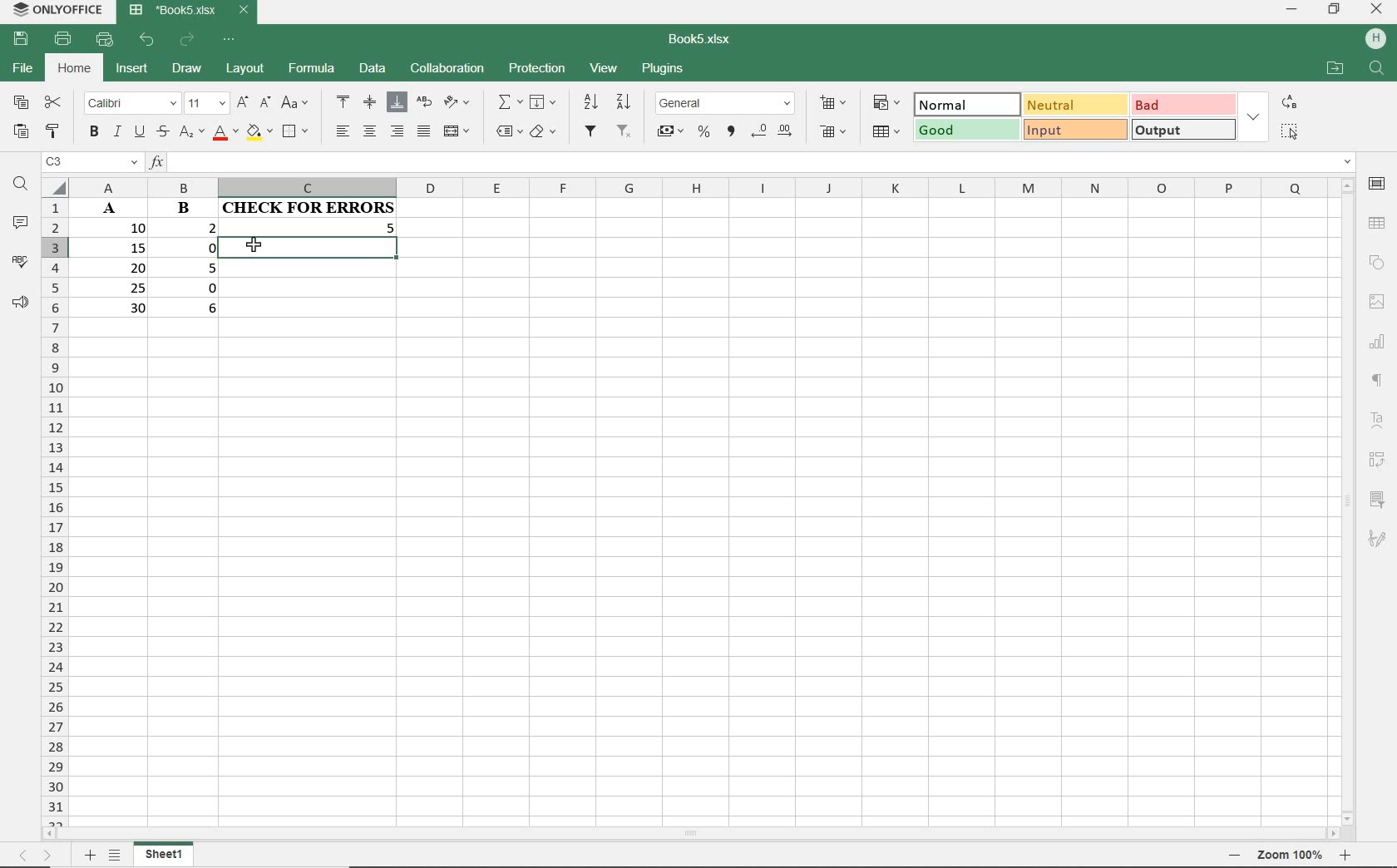 Image resolution: width=1397 pixels, height=868 pixels. What do you see at coordinates (370, 67) in the screenshot?
I see `DATA` at bounding box center [370, 67].